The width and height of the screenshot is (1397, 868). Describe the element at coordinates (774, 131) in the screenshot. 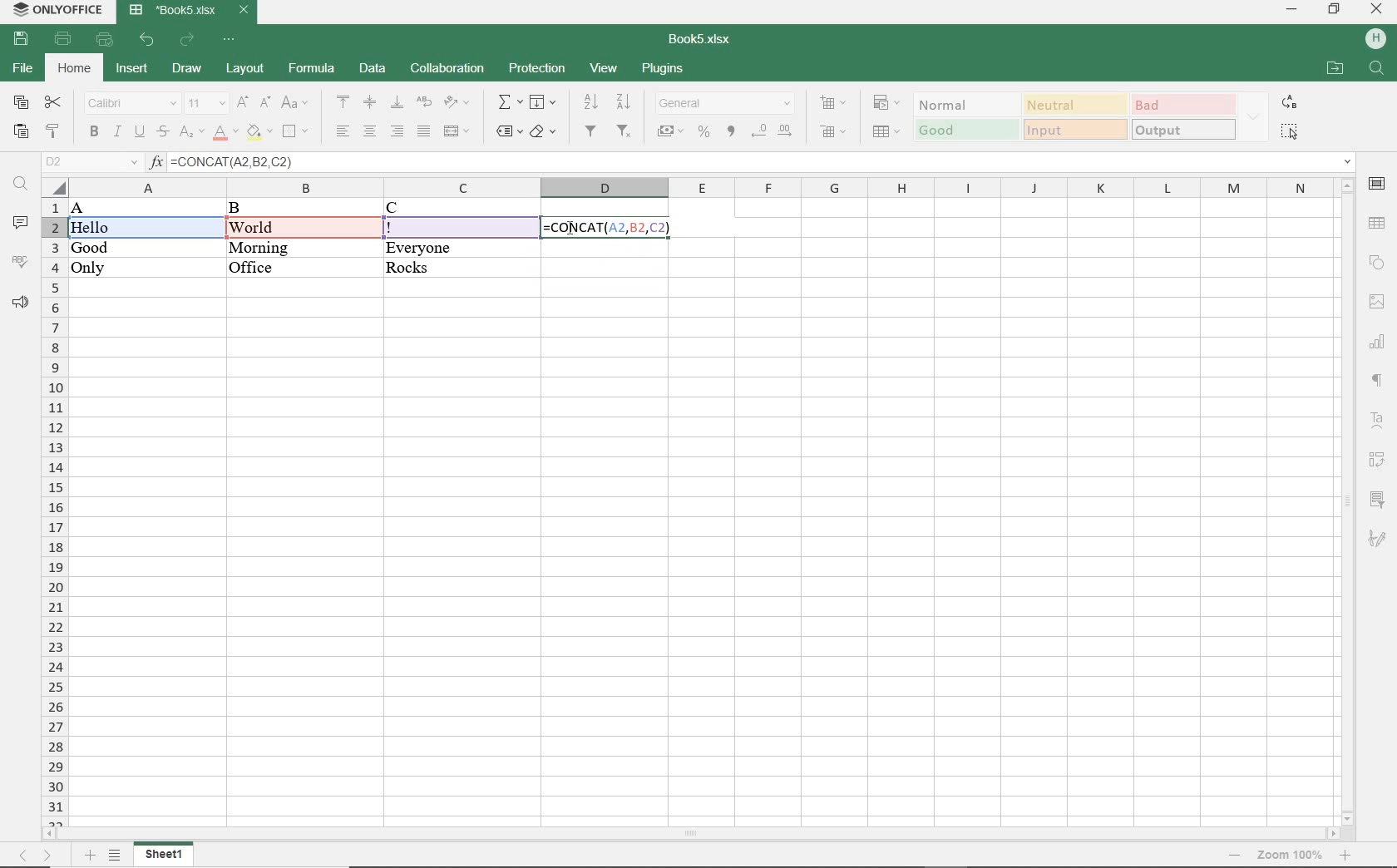

I see `CHANGE DECIMAL` at that location.